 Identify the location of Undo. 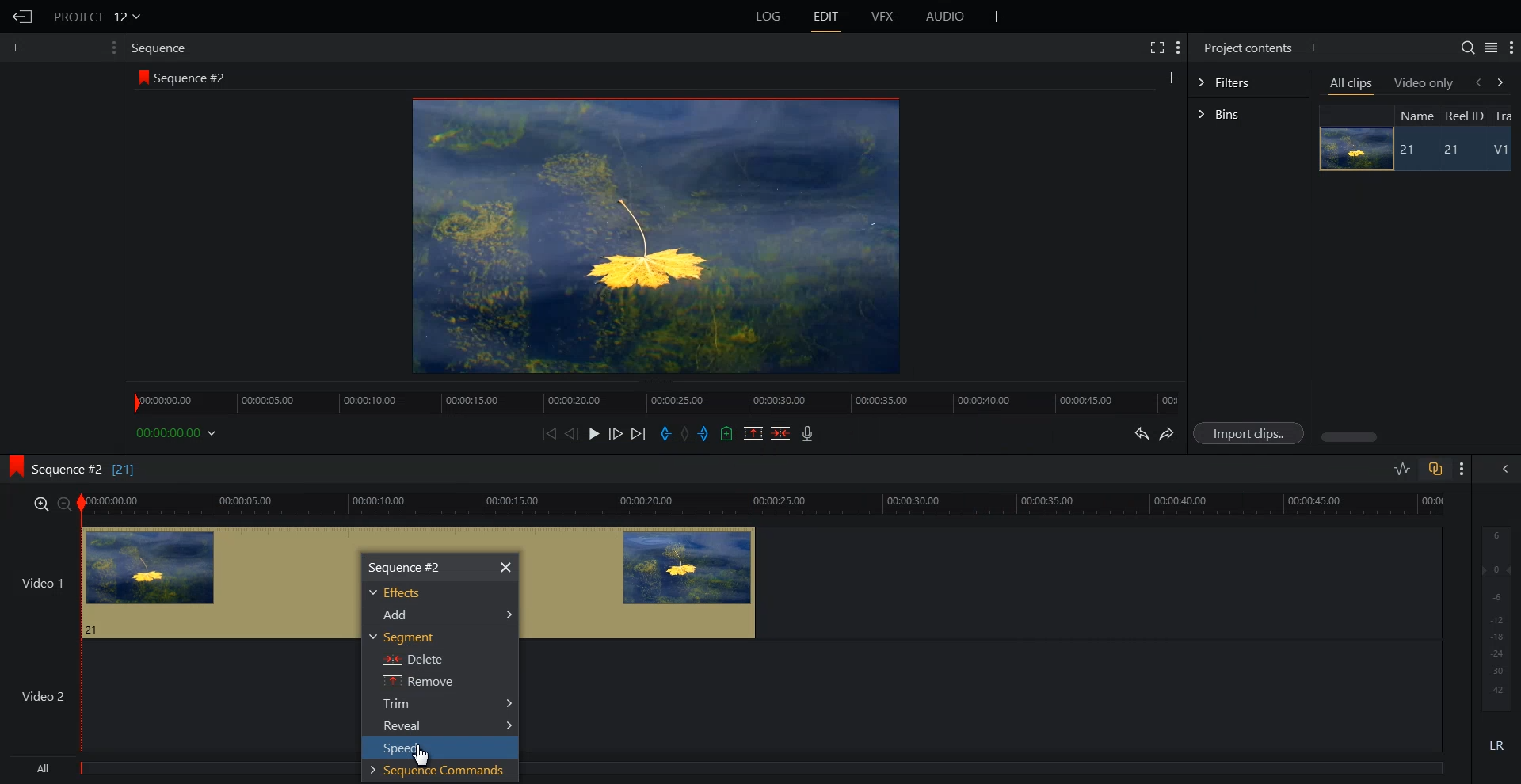
(1139, 434).